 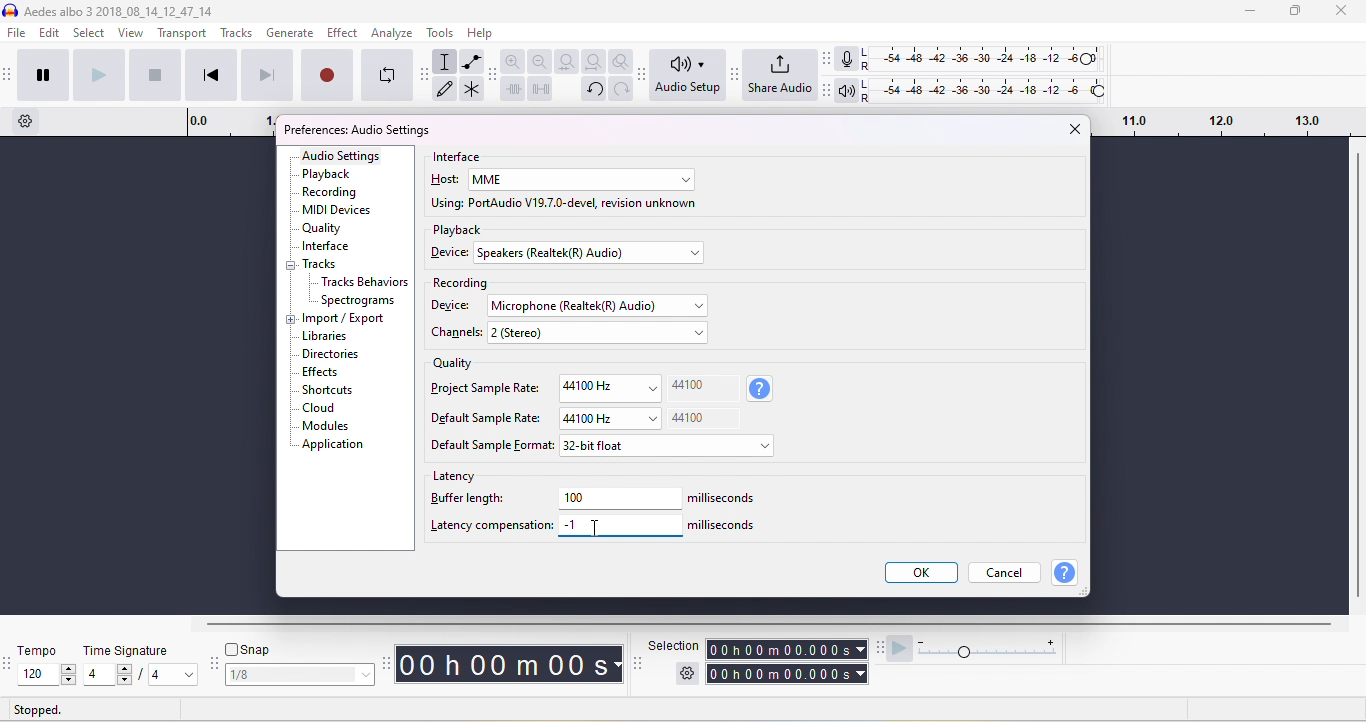 I want to click on cloud, so click(x=319, y=408).